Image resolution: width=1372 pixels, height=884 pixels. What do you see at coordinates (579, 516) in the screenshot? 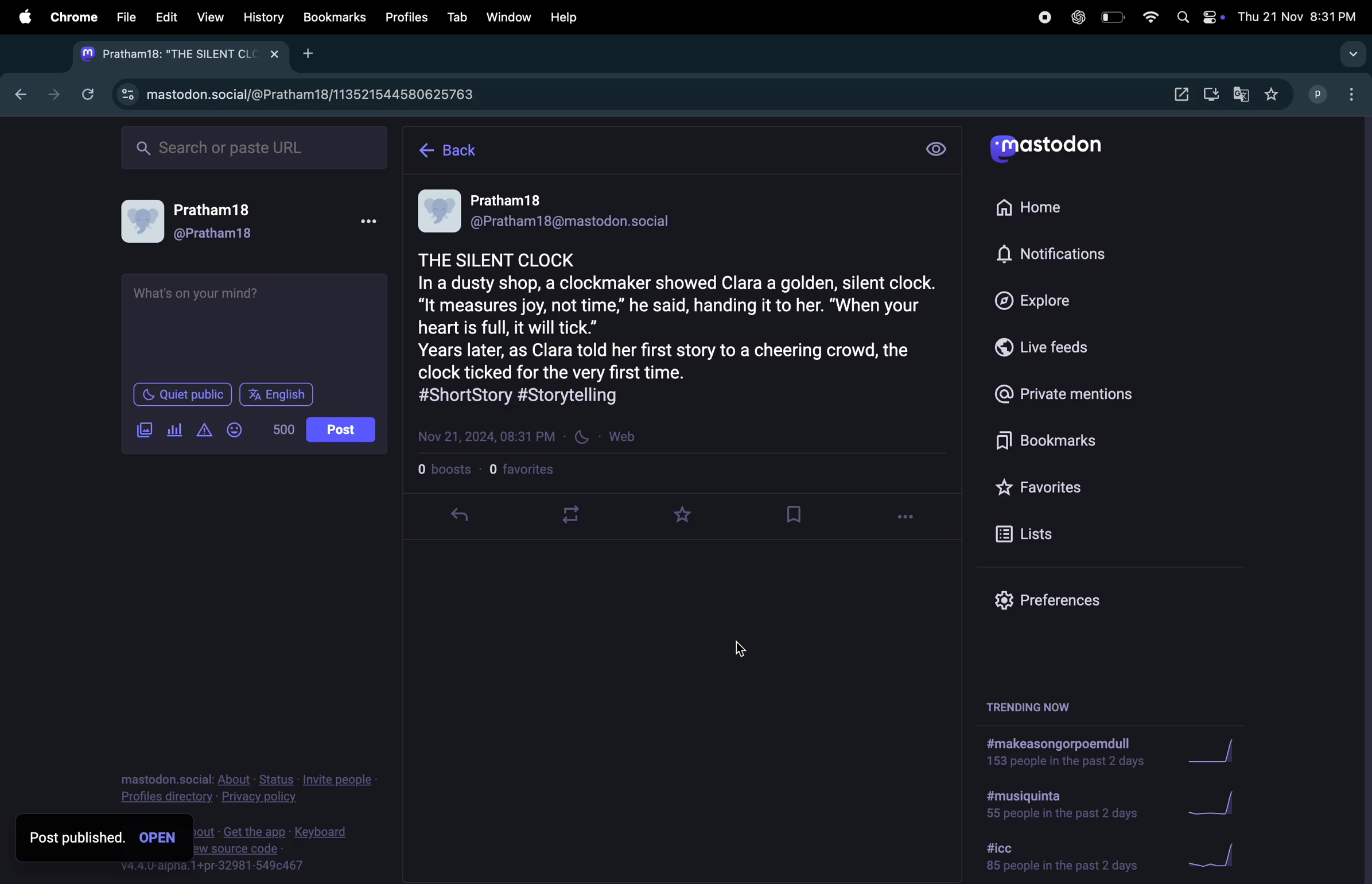
I see `loop` at bounding box center [579, 516].